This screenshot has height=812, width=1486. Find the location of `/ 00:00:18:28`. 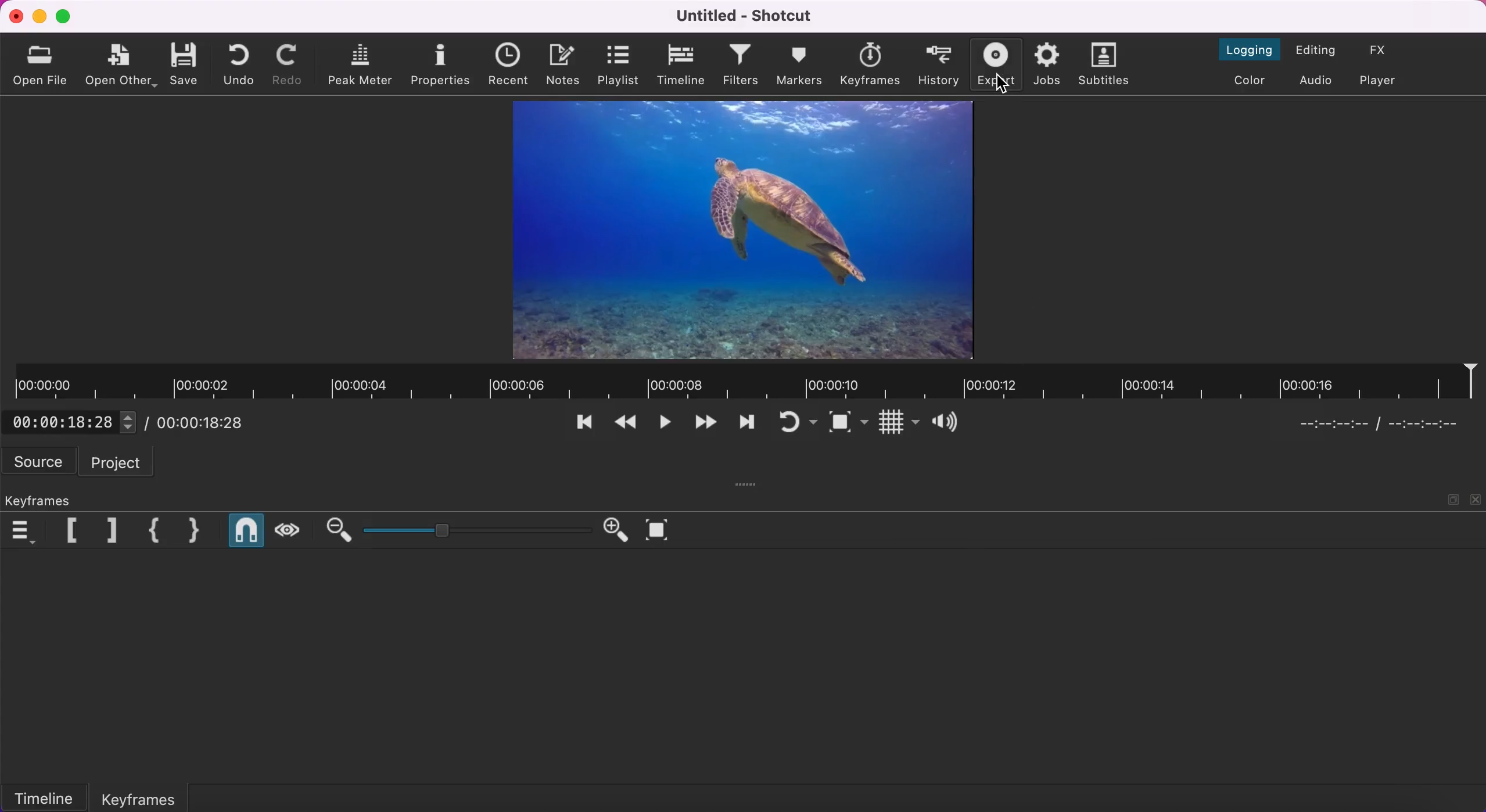

/ 00:00:18:28 is located at coordinates (199, 422).